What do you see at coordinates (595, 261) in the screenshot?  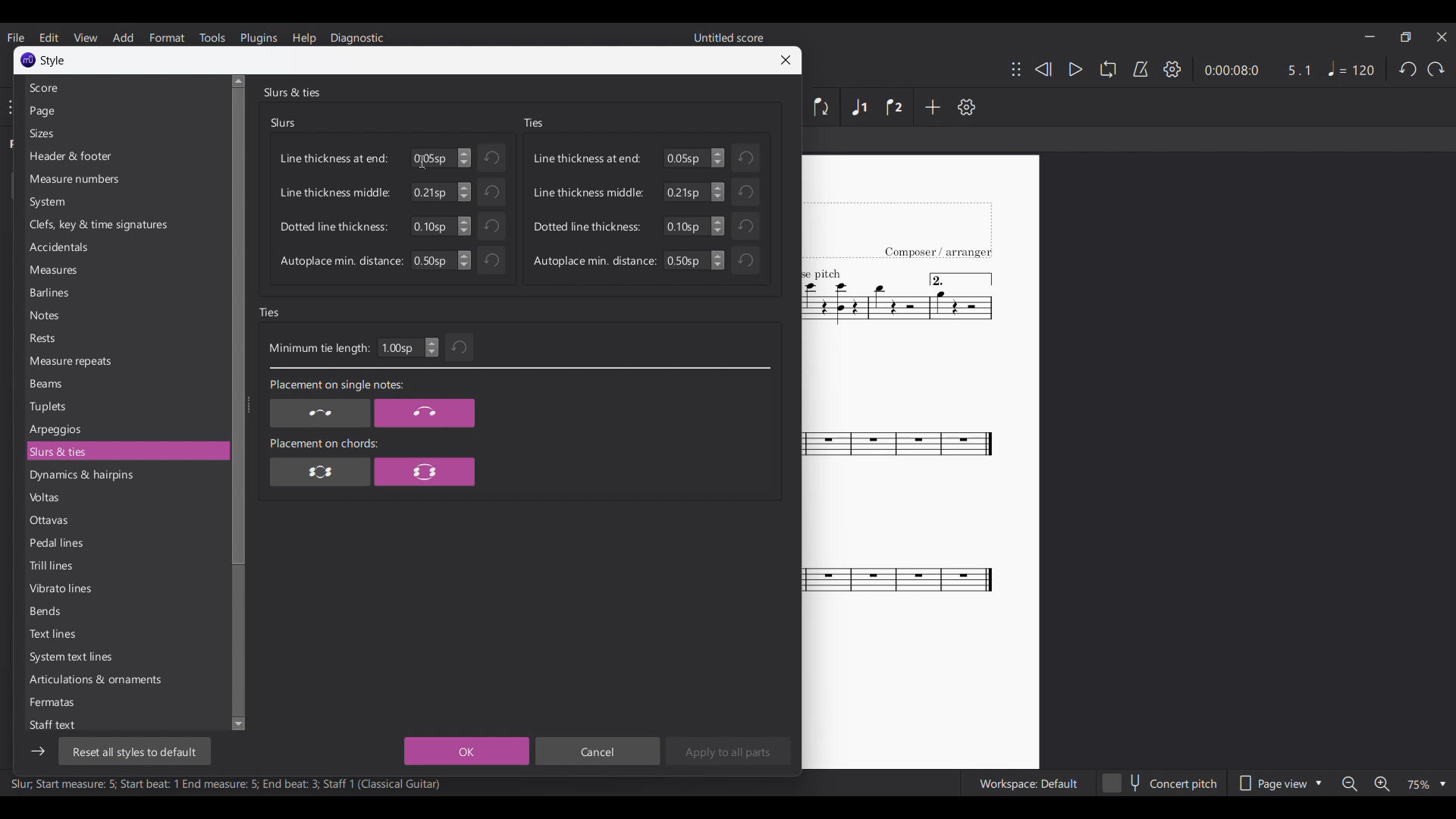 I see `Autoplace min. distance` at bounding box center [595, 261].